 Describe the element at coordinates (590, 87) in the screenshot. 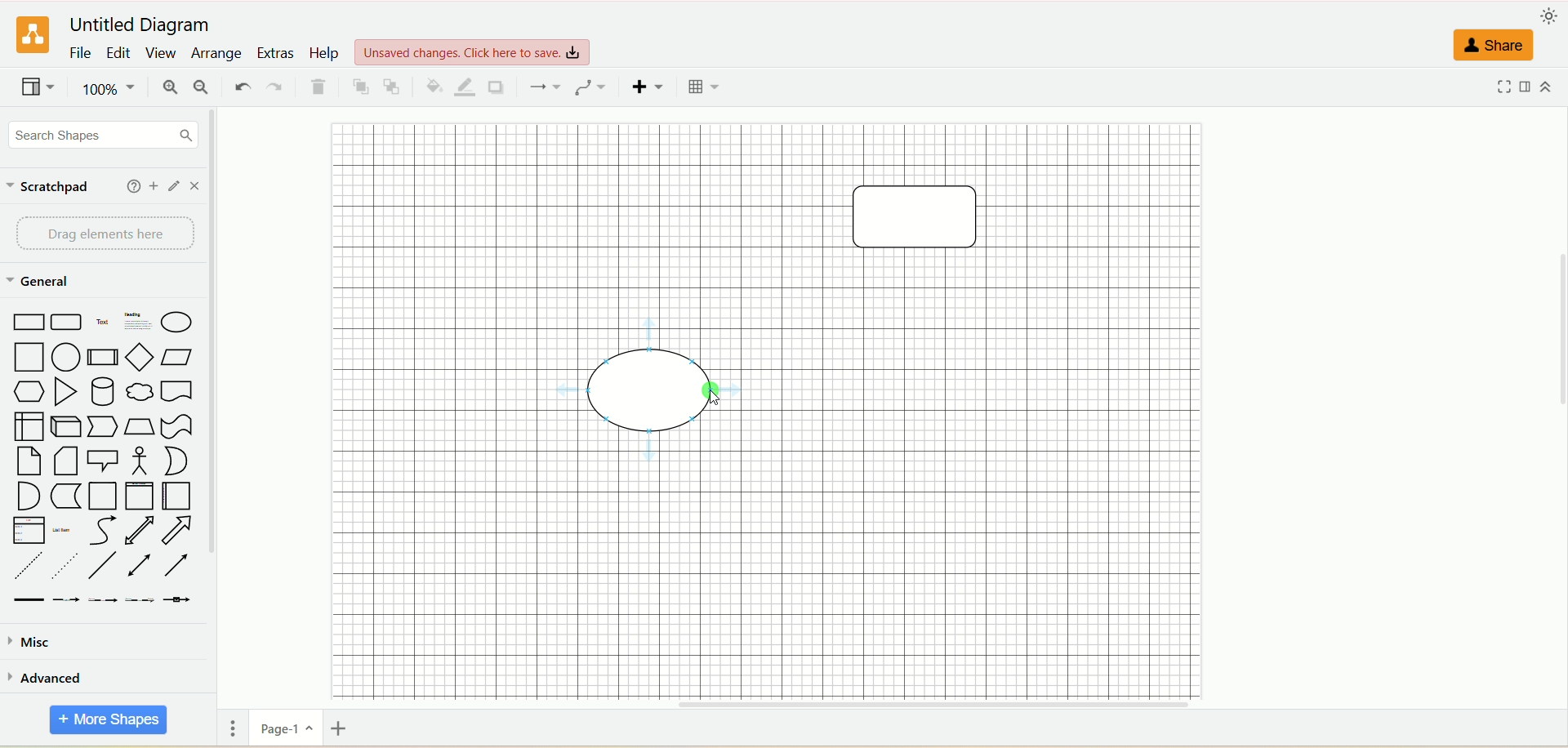

I see `waypoints` at that location.